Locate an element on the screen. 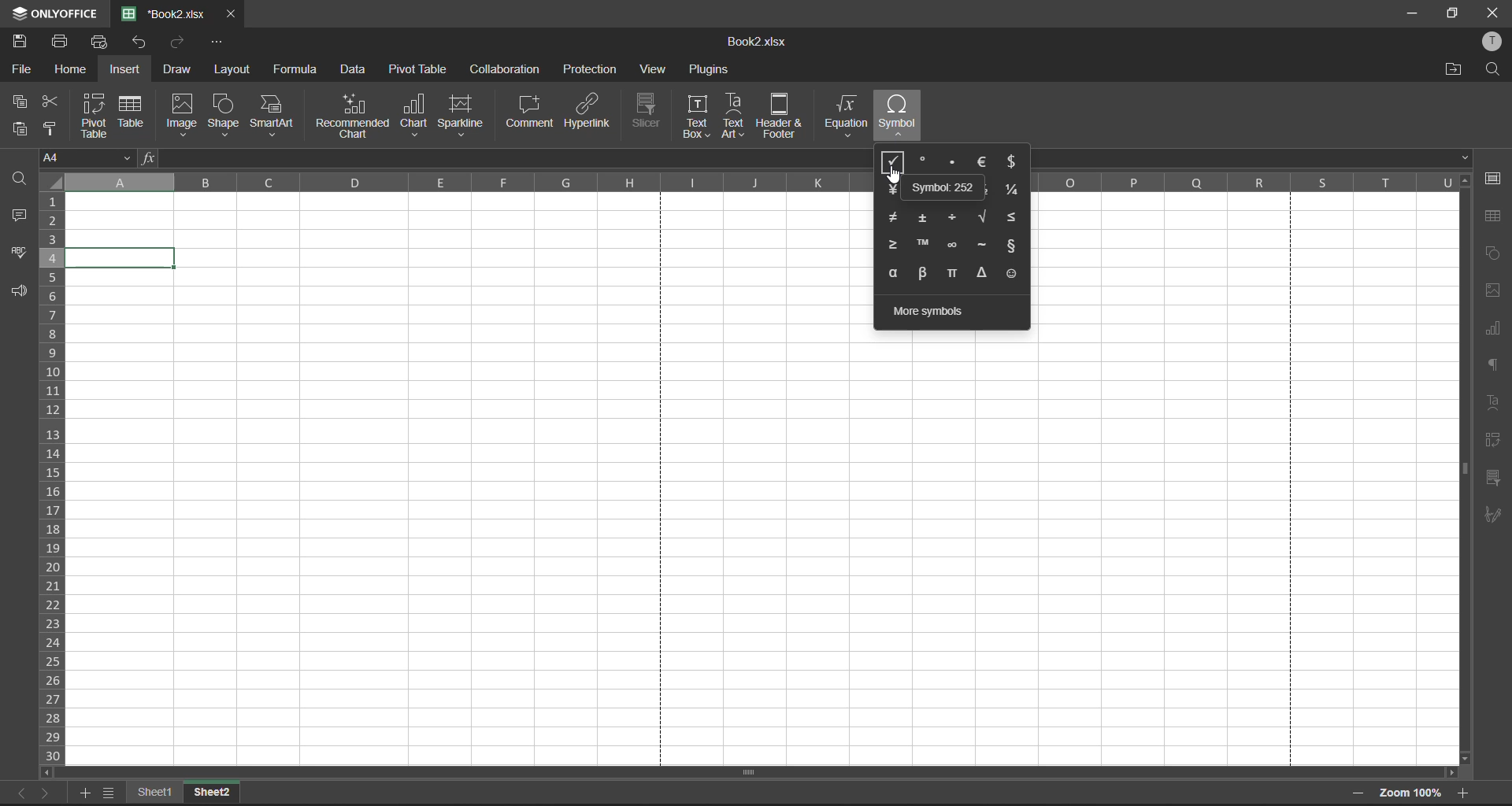 The image size is (1512, 806). bullet is located at coordinates (951, 164).